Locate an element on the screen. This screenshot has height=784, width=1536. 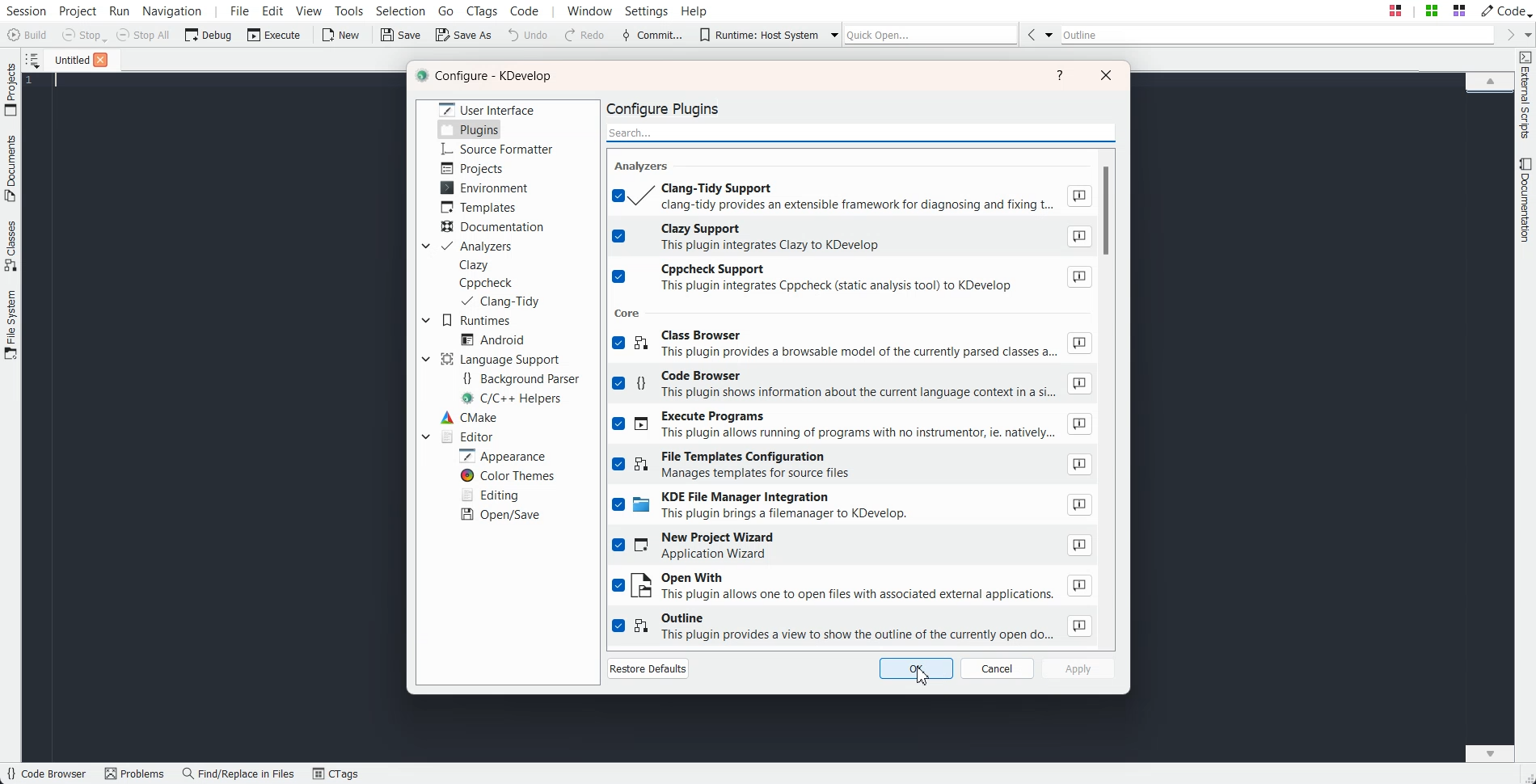
Go forward is located at coordinates (1508, 35).